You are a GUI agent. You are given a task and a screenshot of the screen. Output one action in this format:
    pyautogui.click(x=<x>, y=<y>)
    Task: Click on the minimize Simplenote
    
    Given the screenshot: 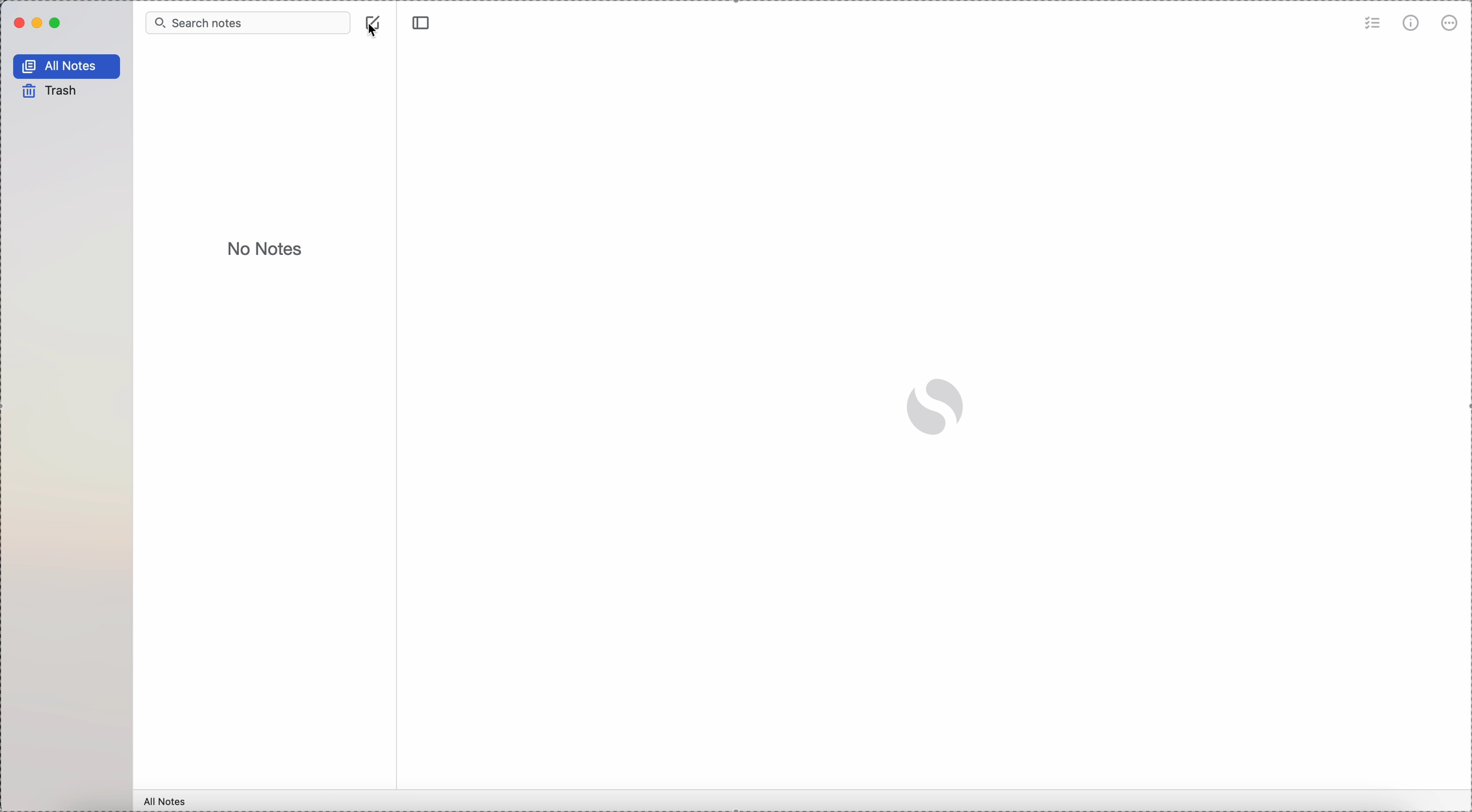 What is the action you would take?
    pyautogui.click(x=39, y=23)
    